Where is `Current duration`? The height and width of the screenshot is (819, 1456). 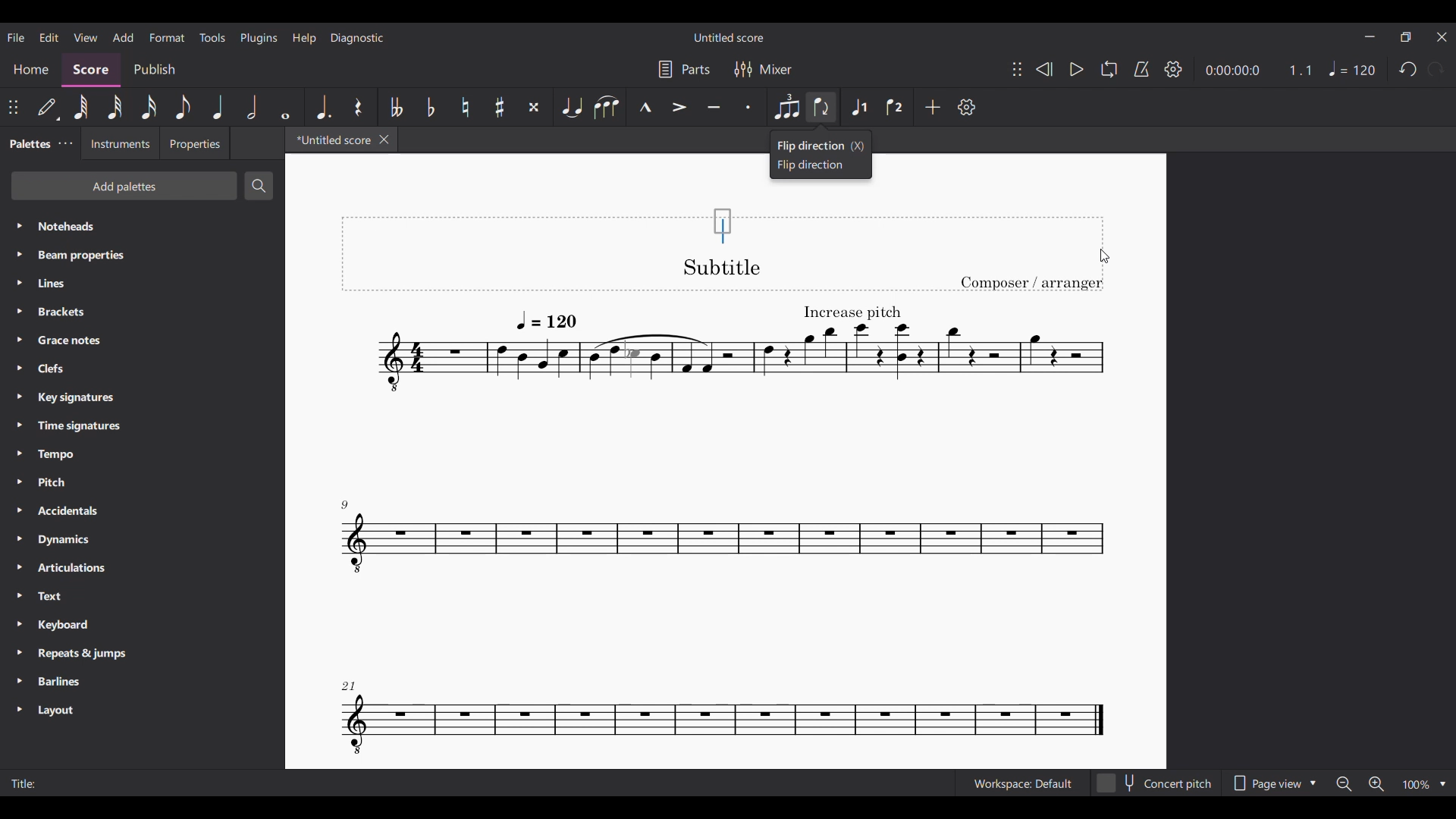
Current duration is located at coordinates (1232, 71).